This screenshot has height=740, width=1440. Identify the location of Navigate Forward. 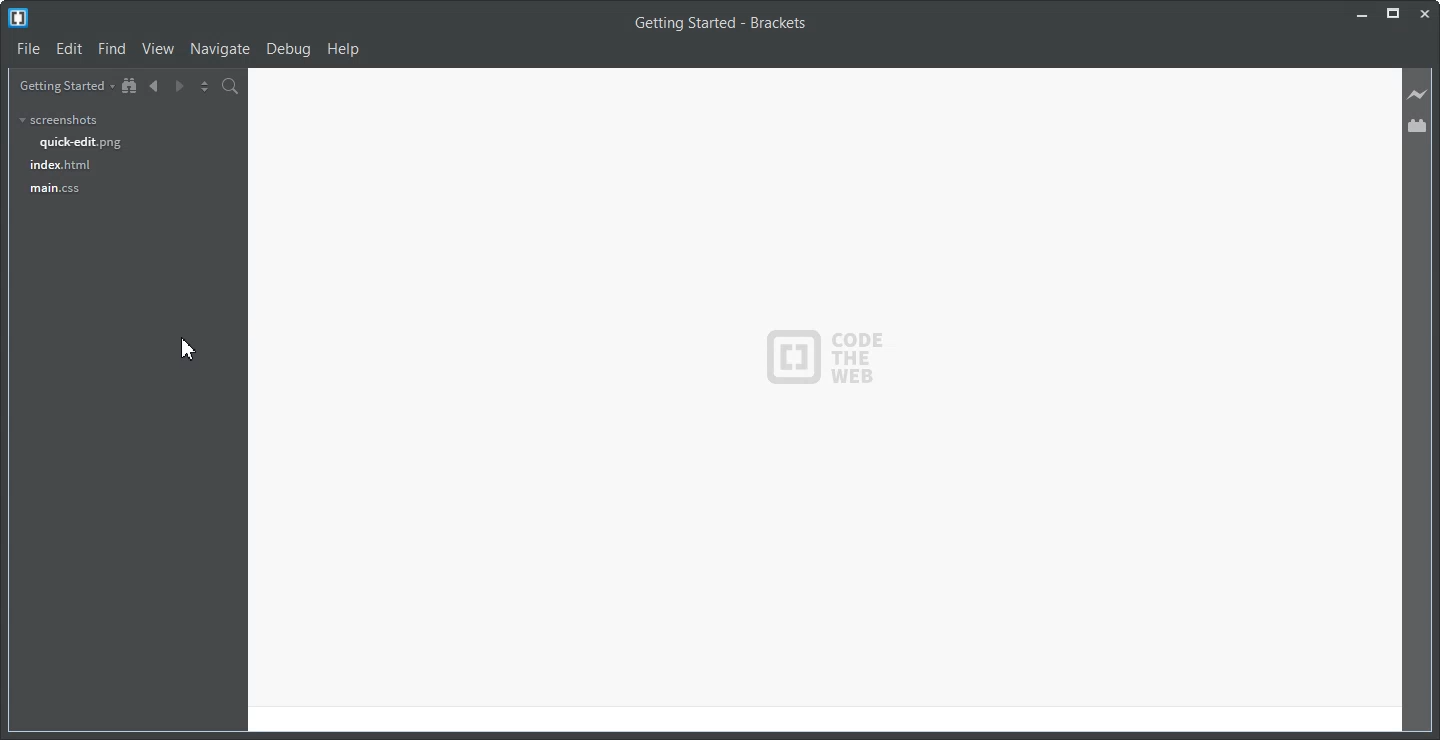
(180, 85).